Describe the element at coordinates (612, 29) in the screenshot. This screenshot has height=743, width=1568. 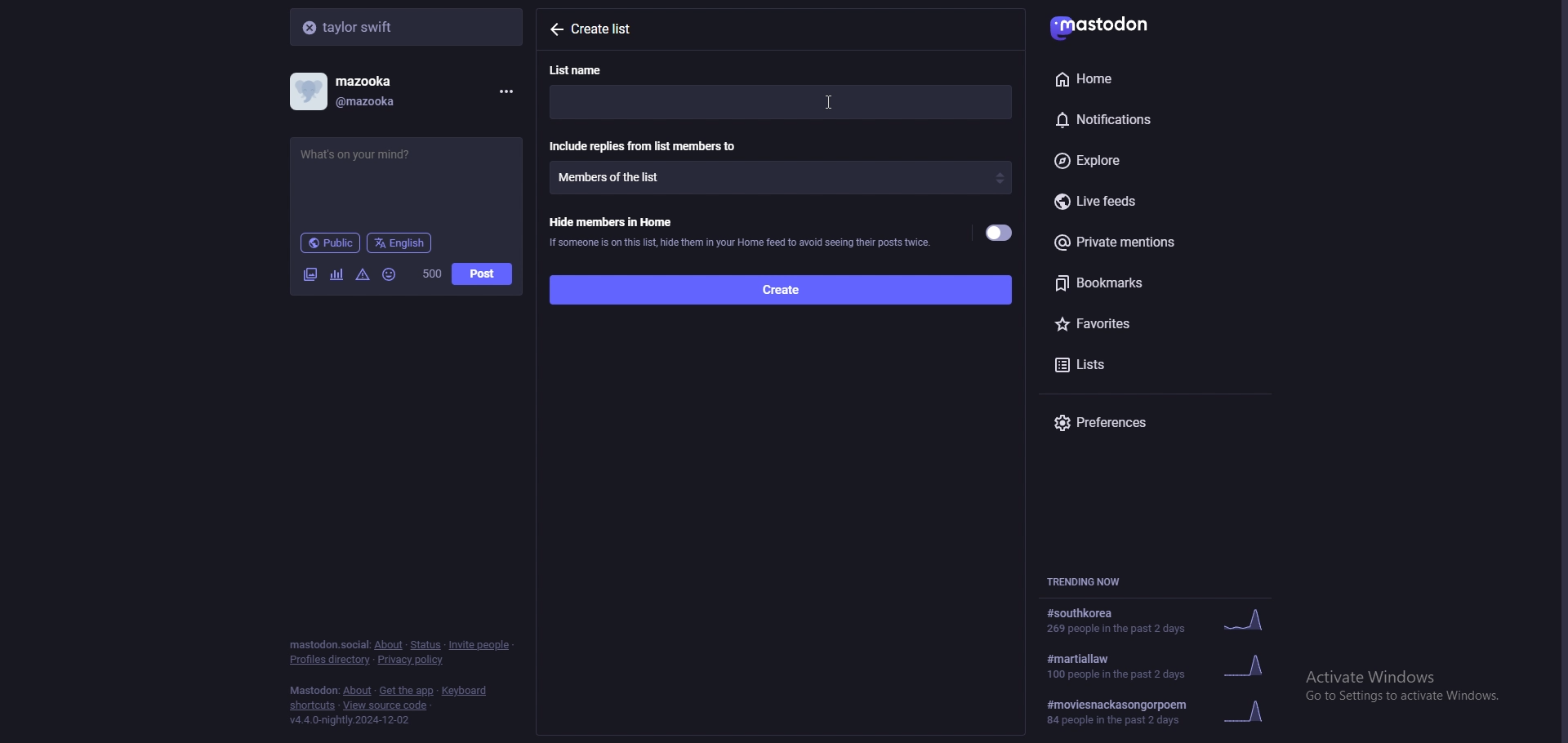
I see `create list` at that location.